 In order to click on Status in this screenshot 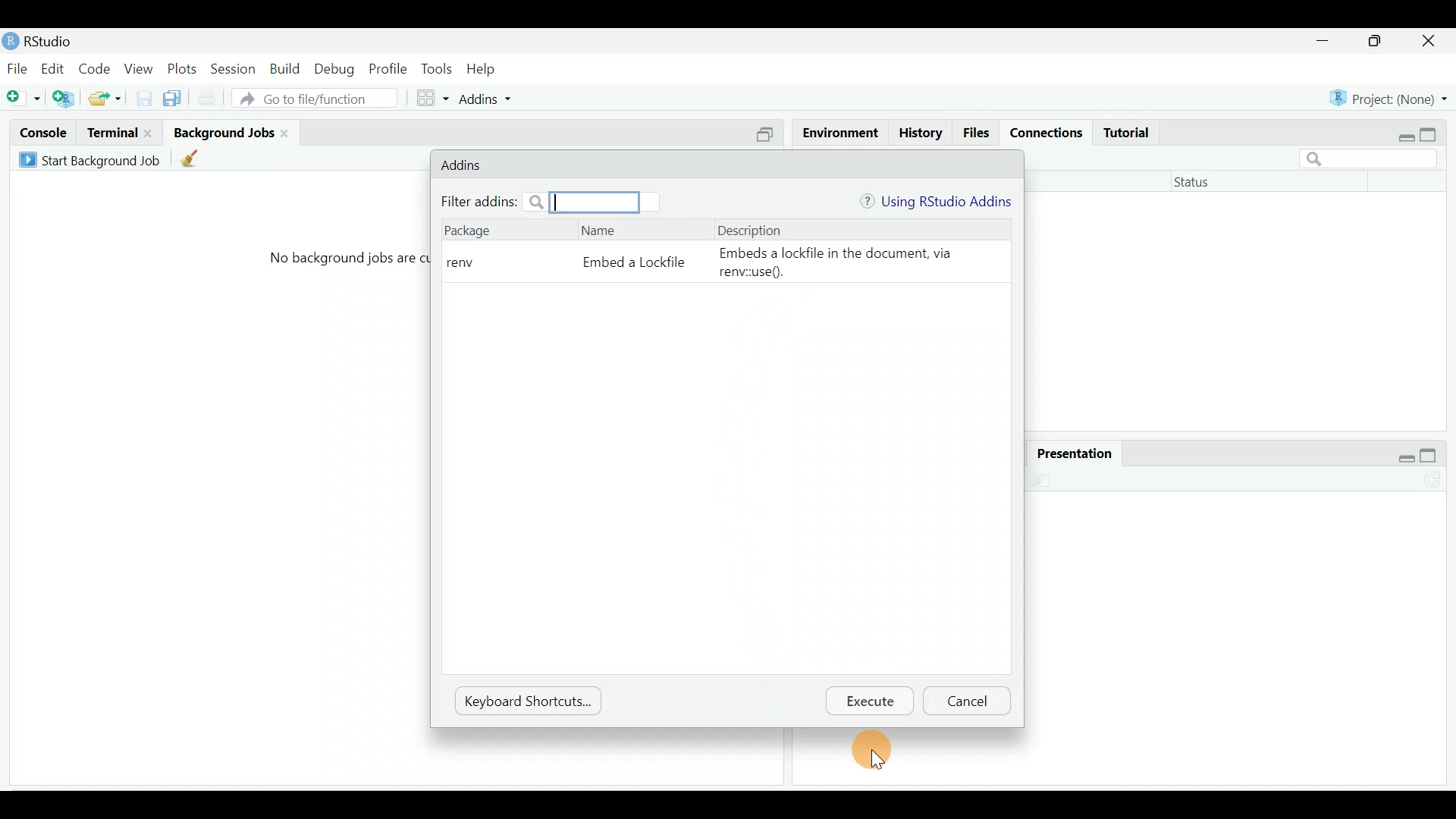, I will do `click(1203, 184)`.